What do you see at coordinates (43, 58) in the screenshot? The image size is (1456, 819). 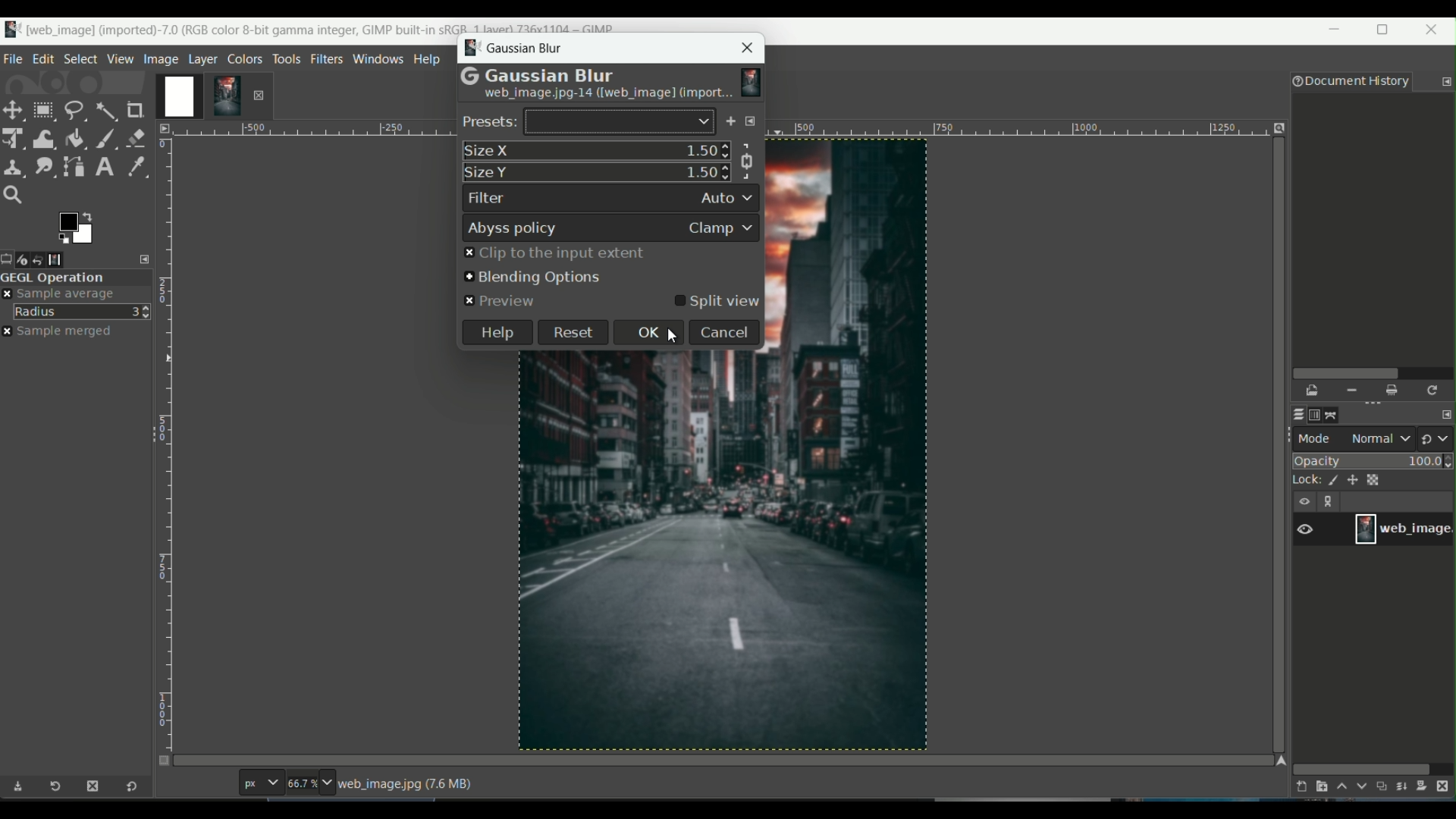 I see `edit tab` at bounding box center [43, 58].